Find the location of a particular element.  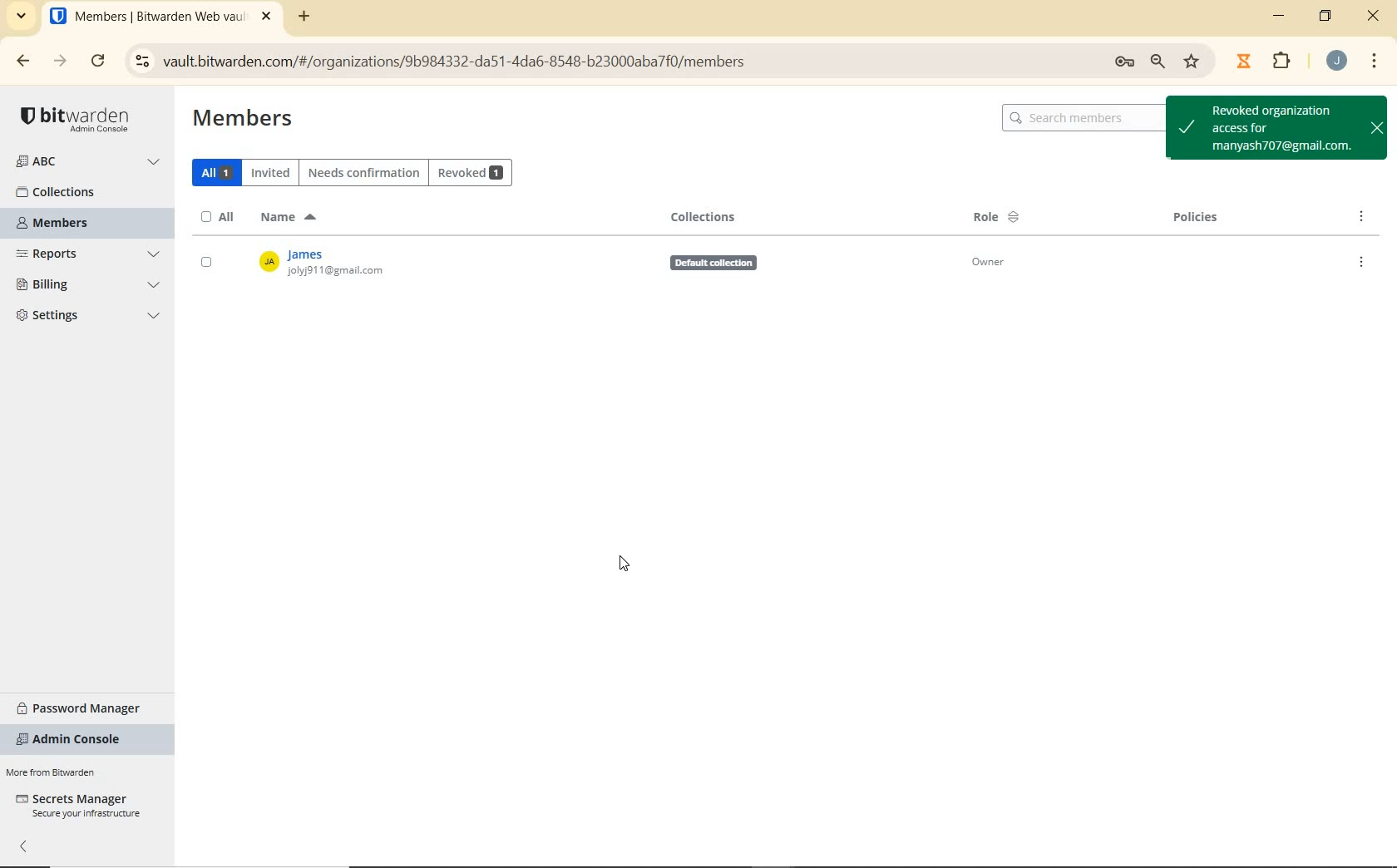

BITWARDEN WEB VAULT is located at coordinates (163, 18).